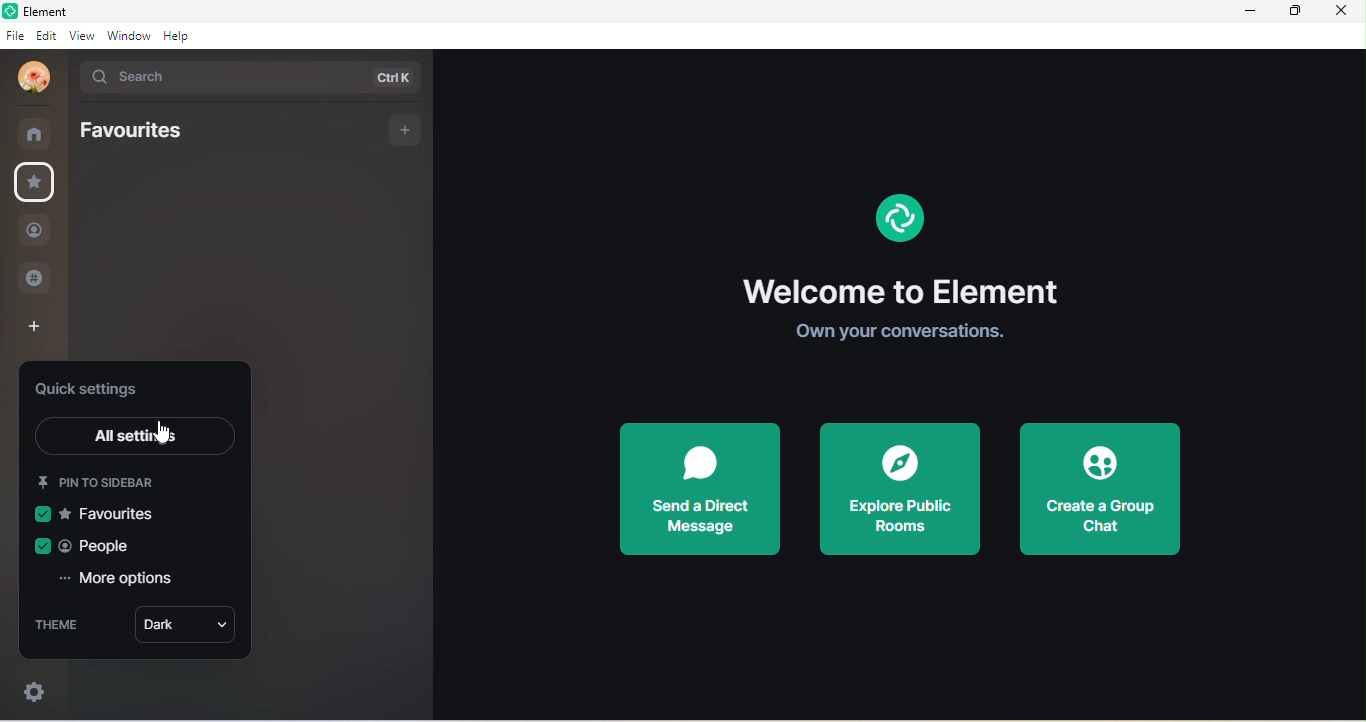 The width and height of the screenshot is (1366, 722). Describe the element at coordinates (45, 35) in the screenshot. I see `edit` at that location.